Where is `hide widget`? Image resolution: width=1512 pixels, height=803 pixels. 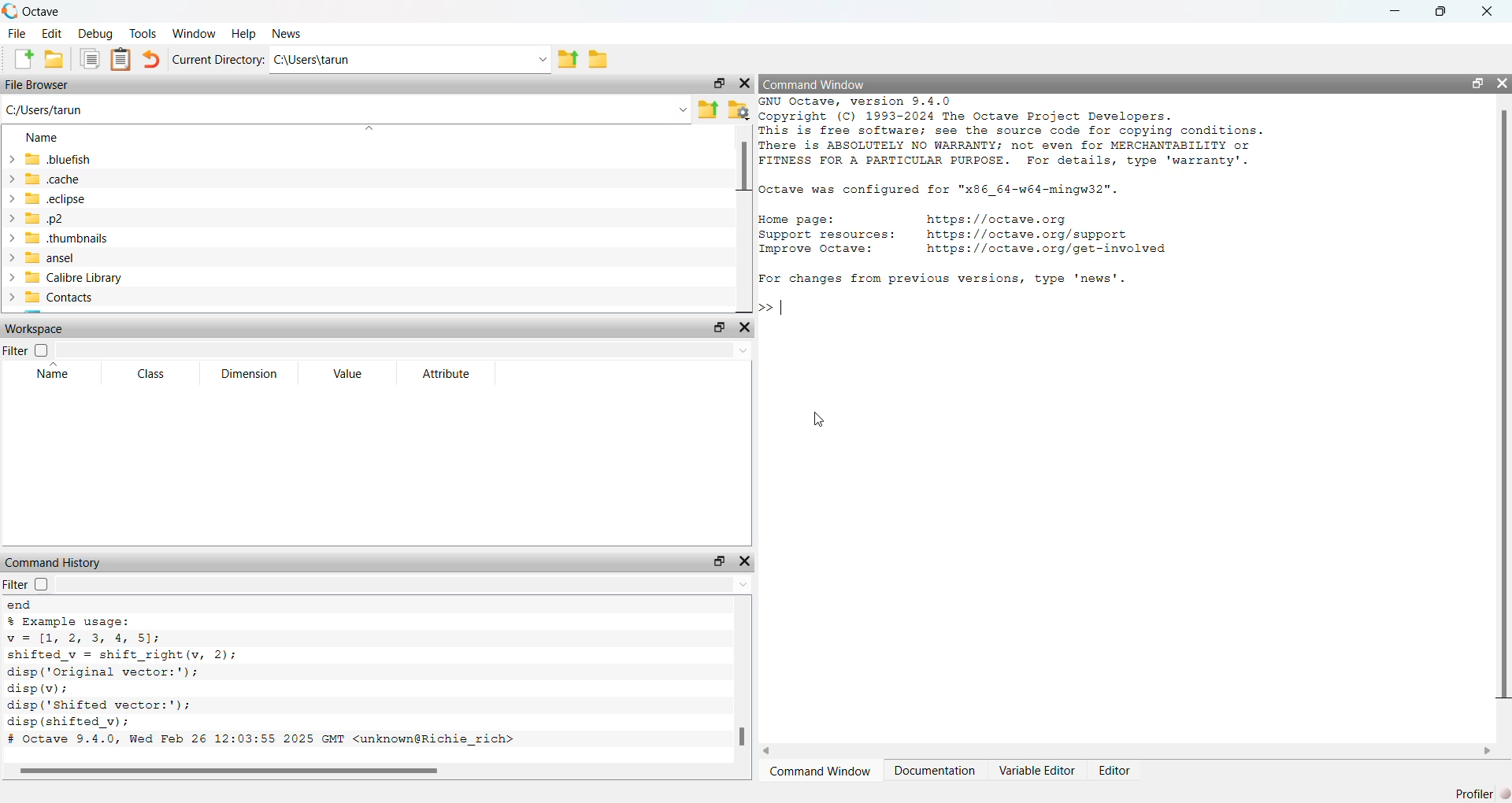
hide widget is located at coordinates (747, 83).